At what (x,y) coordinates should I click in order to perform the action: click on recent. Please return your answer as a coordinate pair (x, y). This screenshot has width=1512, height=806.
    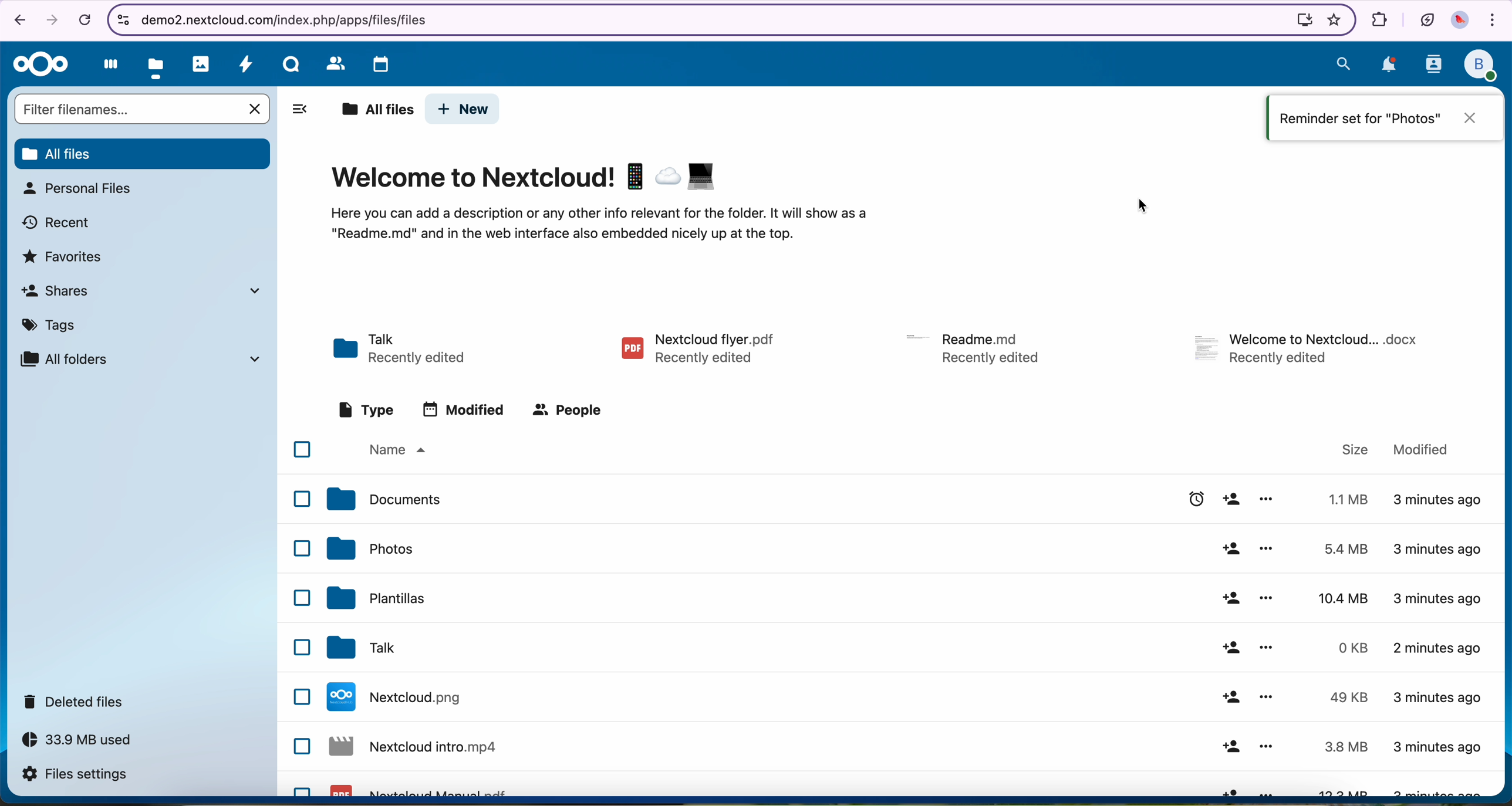
    Looking at the image, I should click on (59, 222).